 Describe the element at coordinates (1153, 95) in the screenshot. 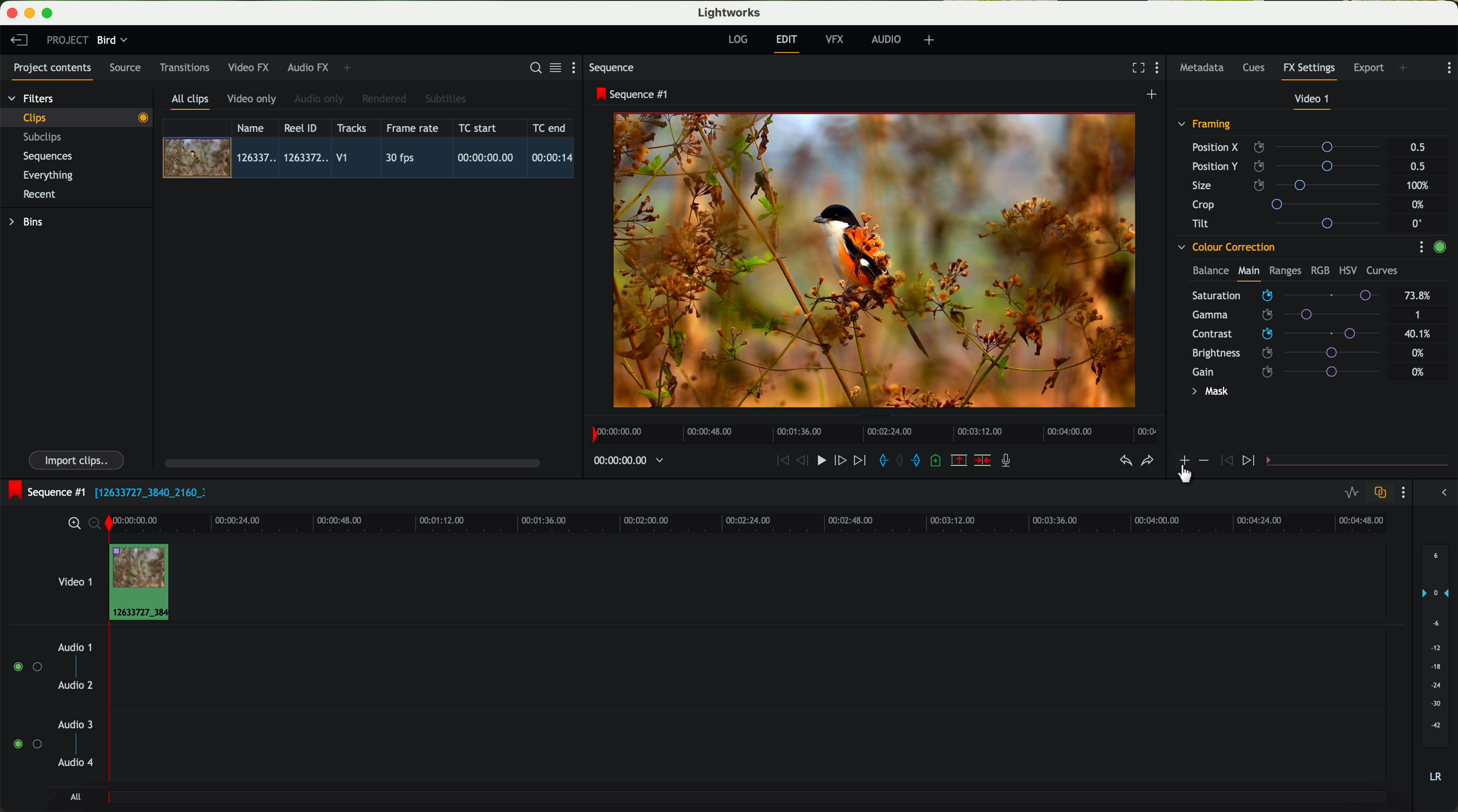

I see `create a new sequence` at that location.